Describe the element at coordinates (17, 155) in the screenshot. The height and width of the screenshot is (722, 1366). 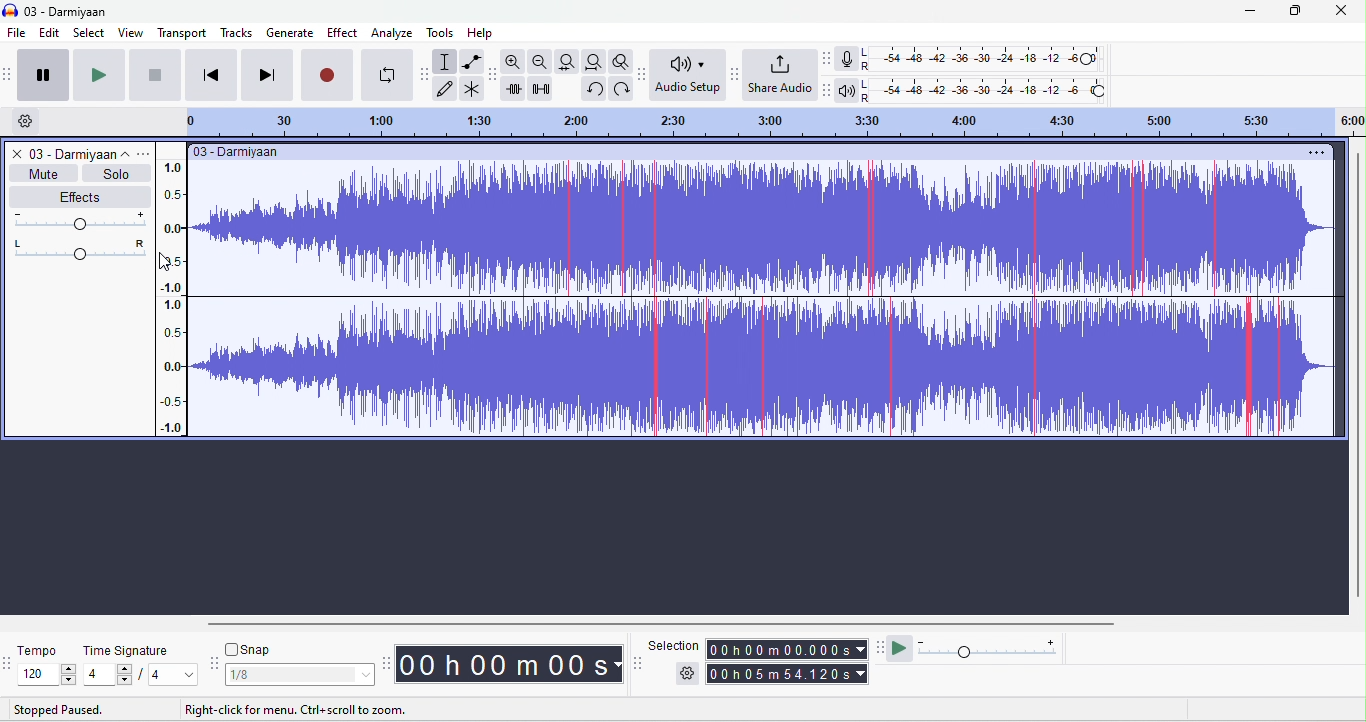
I see `close` at that location.